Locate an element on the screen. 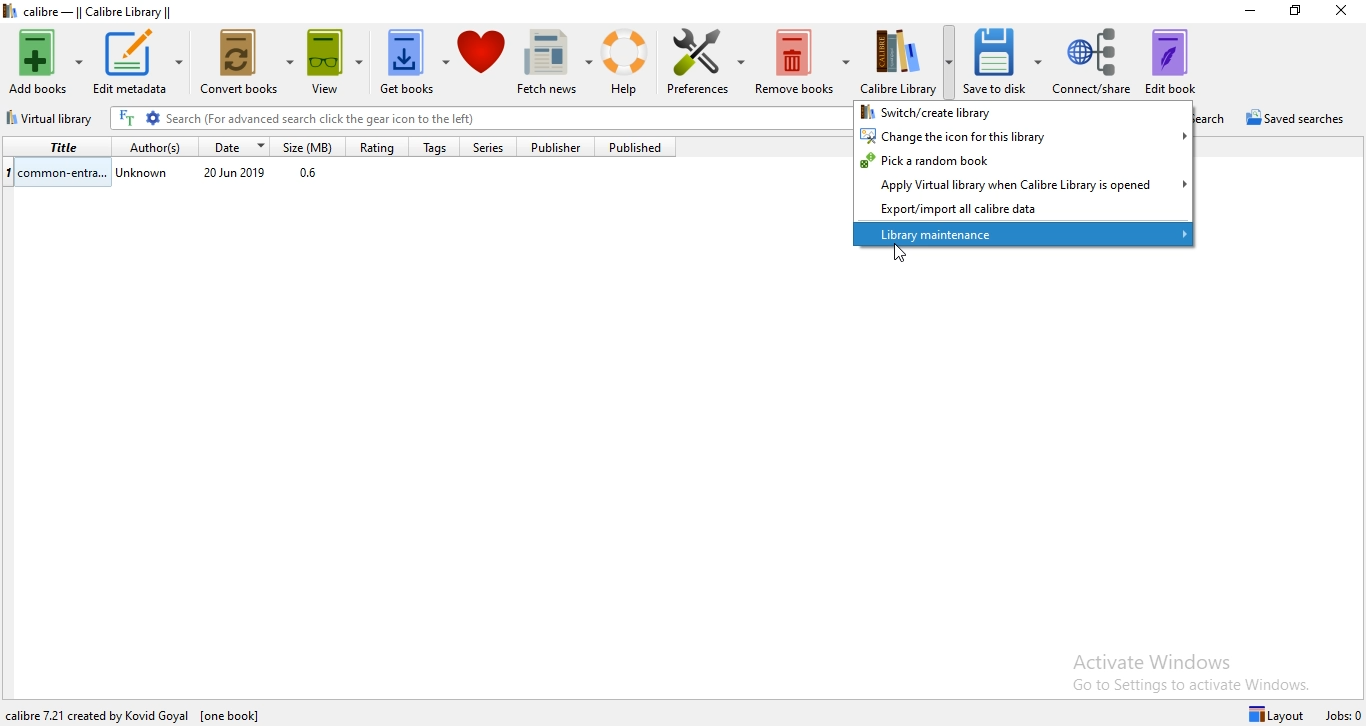 This screenshot has height=726, width=1366. Get books is located at coordinates (414, 65).